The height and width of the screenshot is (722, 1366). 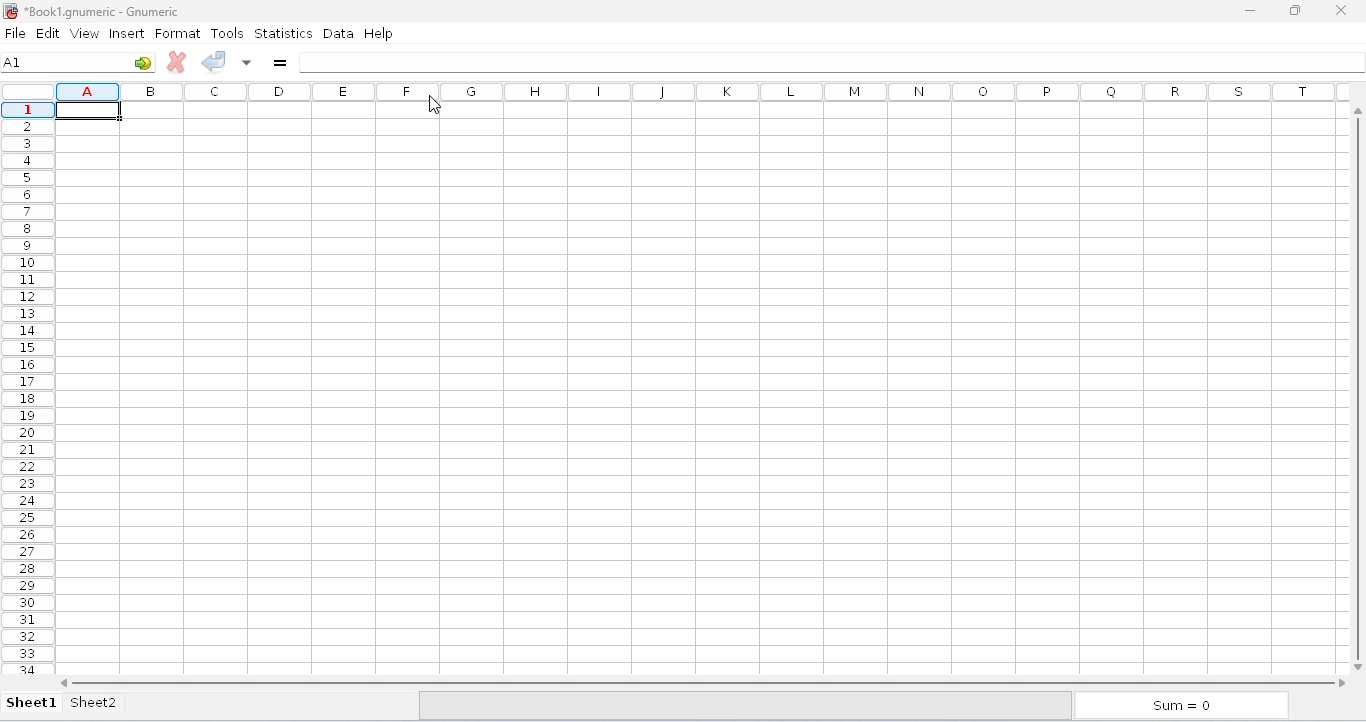 I want to click on formula bar, so click(x=832, y=63).